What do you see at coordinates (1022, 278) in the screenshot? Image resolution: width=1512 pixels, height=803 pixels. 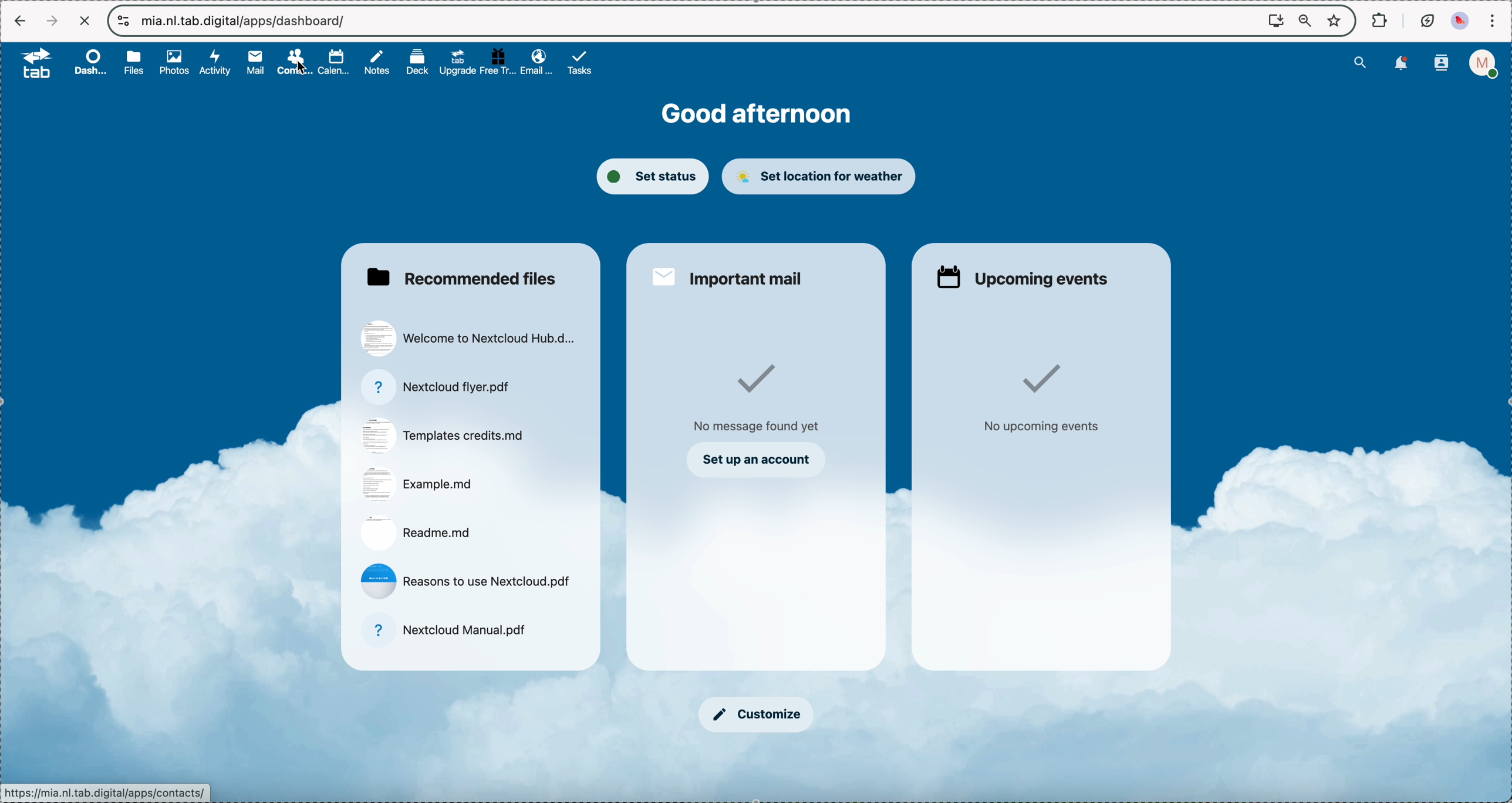 I see `upcoming events` at bounding box center [1022, 278].